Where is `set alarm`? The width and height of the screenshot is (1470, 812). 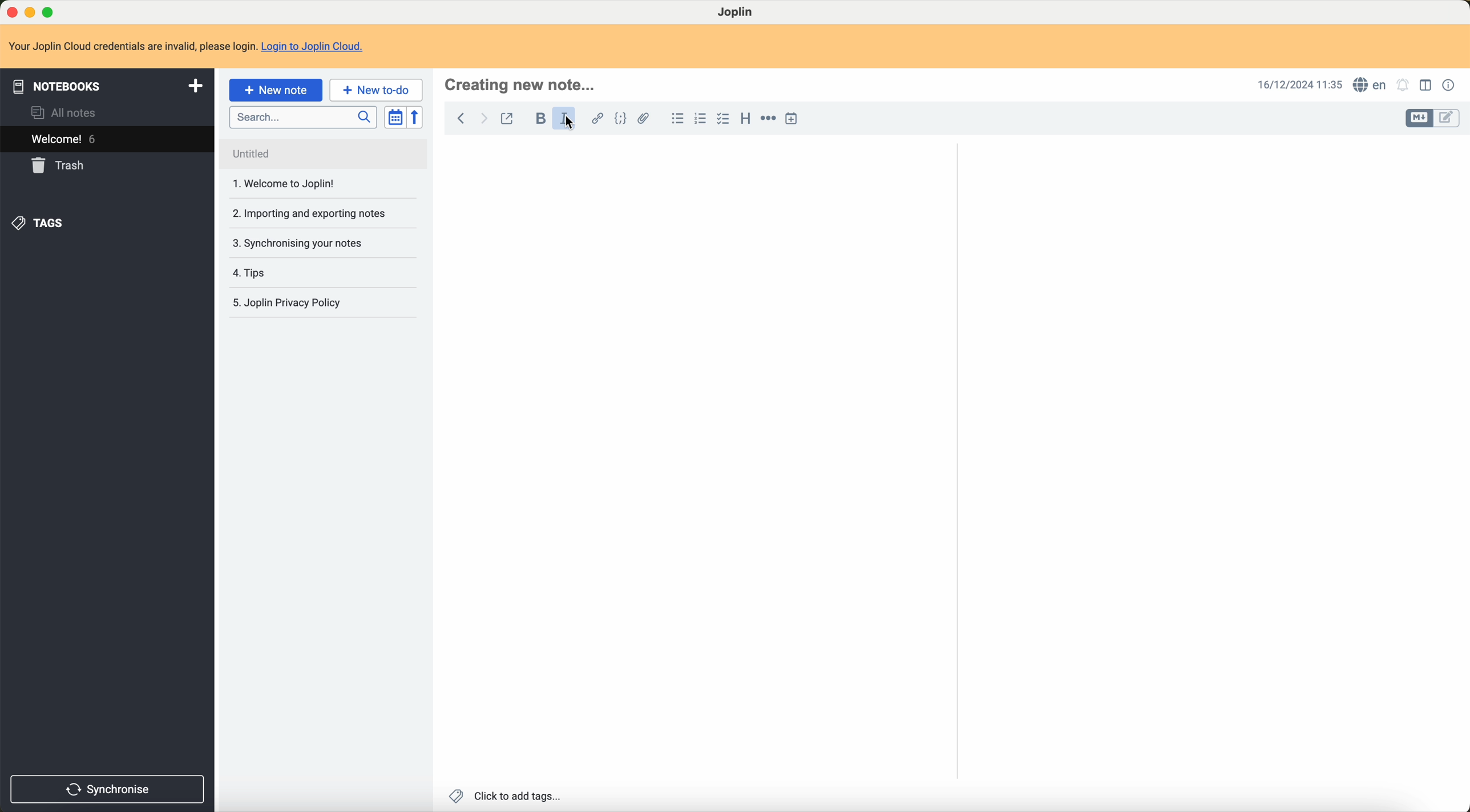
set alarm is located at coordinates (1405, 86).